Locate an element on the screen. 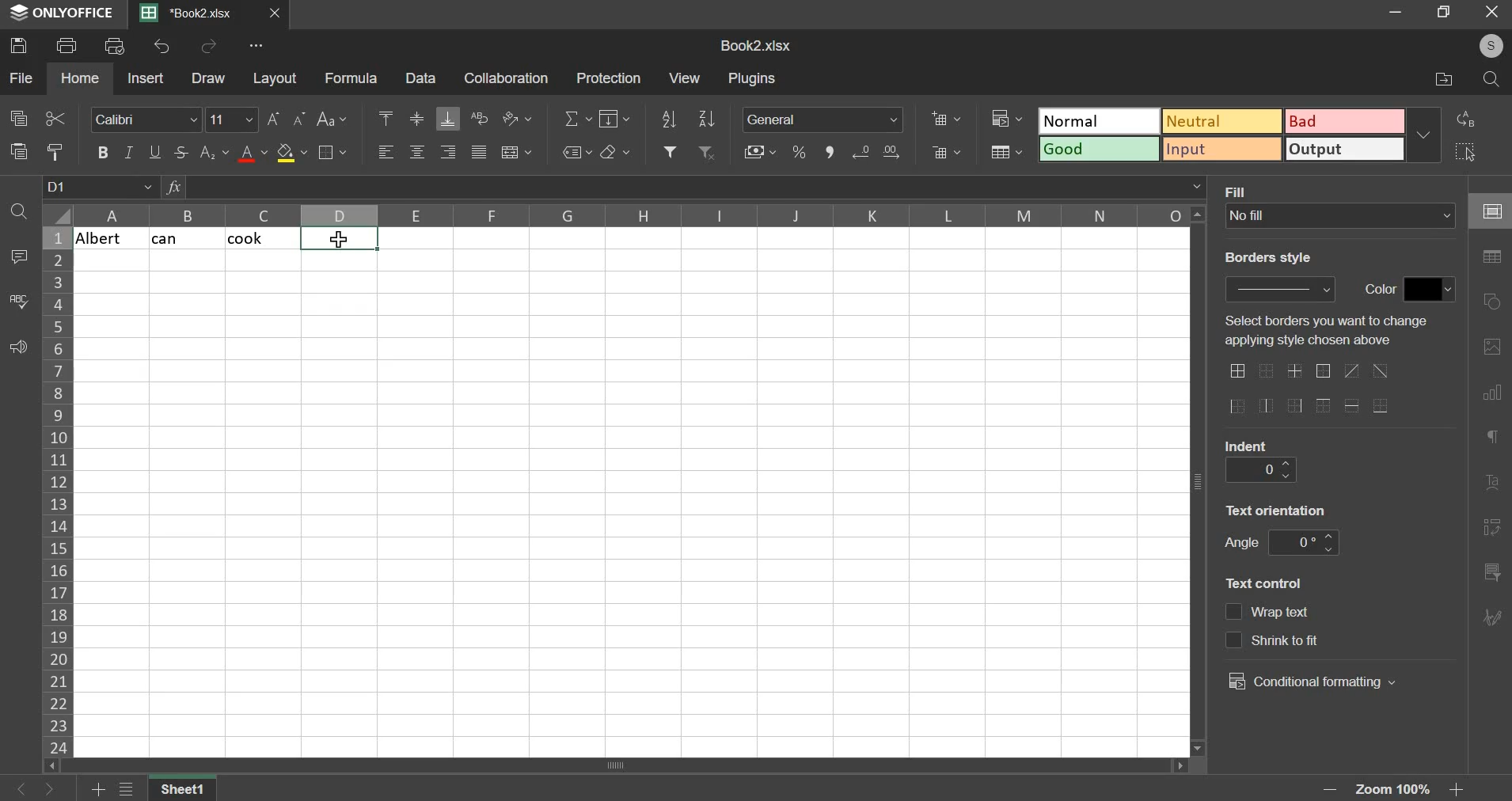  font size is located at coordinates (232, 119).